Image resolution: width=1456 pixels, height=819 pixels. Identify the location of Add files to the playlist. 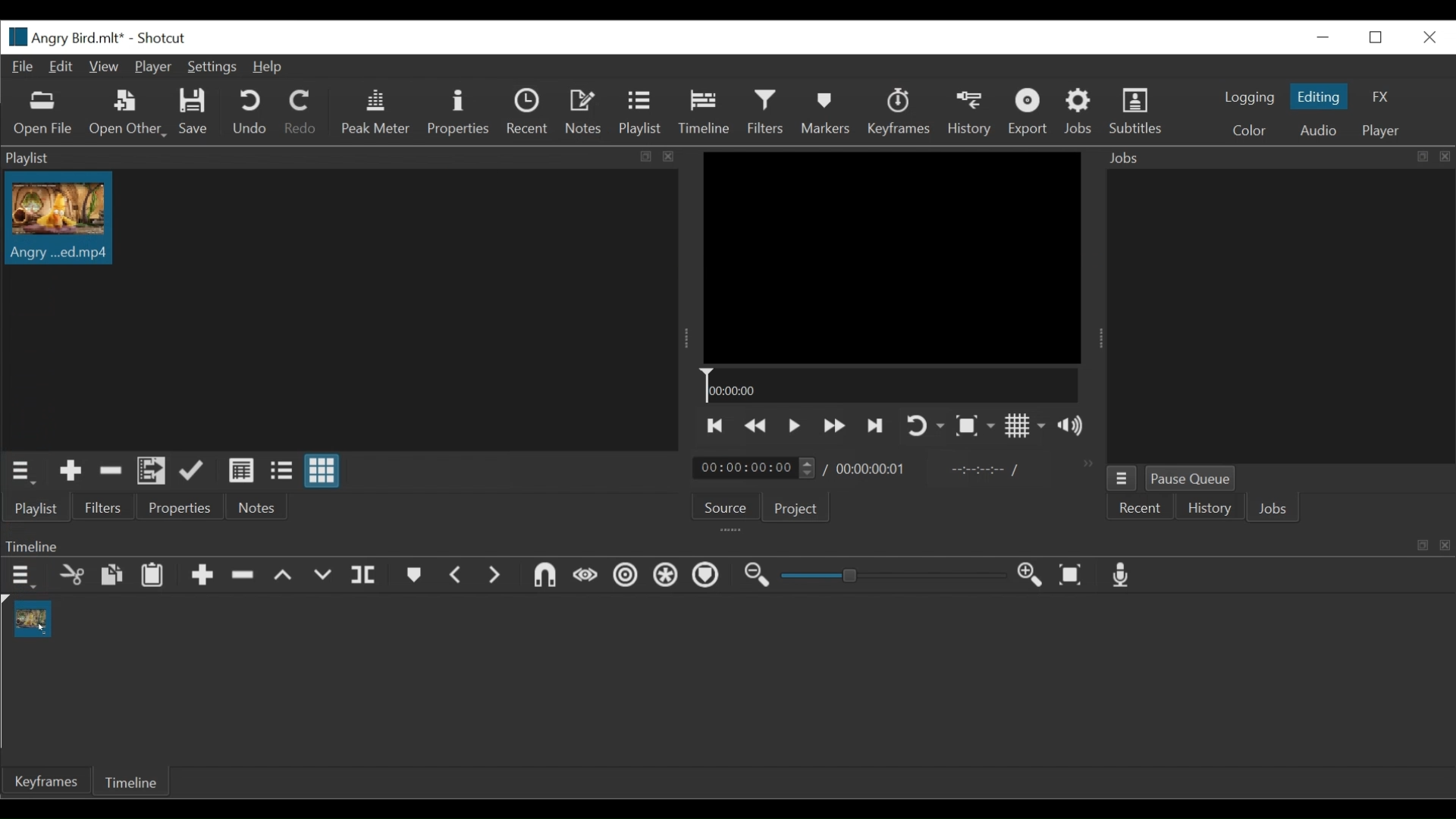
(152, 471).